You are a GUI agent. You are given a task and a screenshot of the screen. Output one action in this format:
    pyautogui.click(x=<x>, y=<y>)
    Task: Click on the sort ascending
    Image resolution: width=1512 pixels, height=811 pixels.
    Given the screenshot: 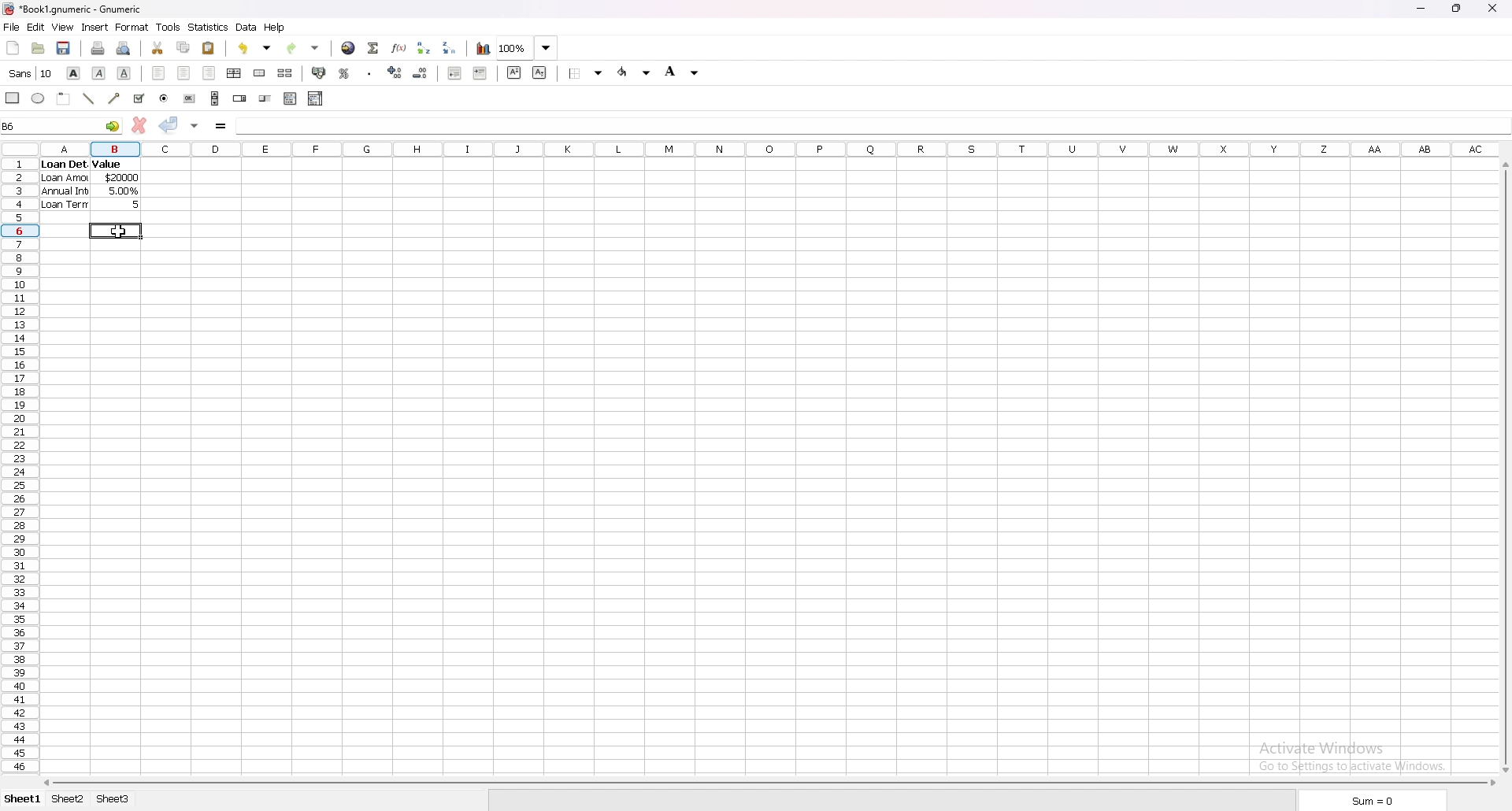 What is the action you would take?
    pyautogui.click(x=424, y=48)
    